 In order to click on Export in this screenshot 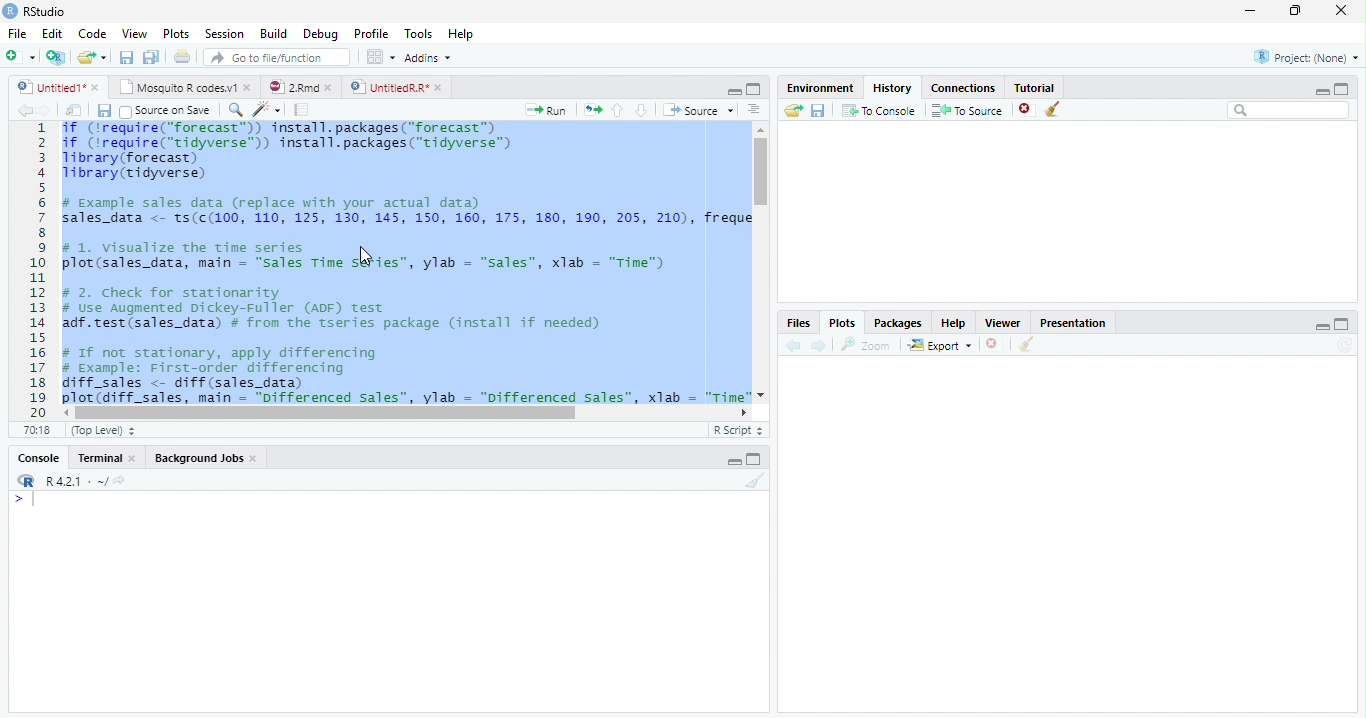, I will do `click(940, 345)`.